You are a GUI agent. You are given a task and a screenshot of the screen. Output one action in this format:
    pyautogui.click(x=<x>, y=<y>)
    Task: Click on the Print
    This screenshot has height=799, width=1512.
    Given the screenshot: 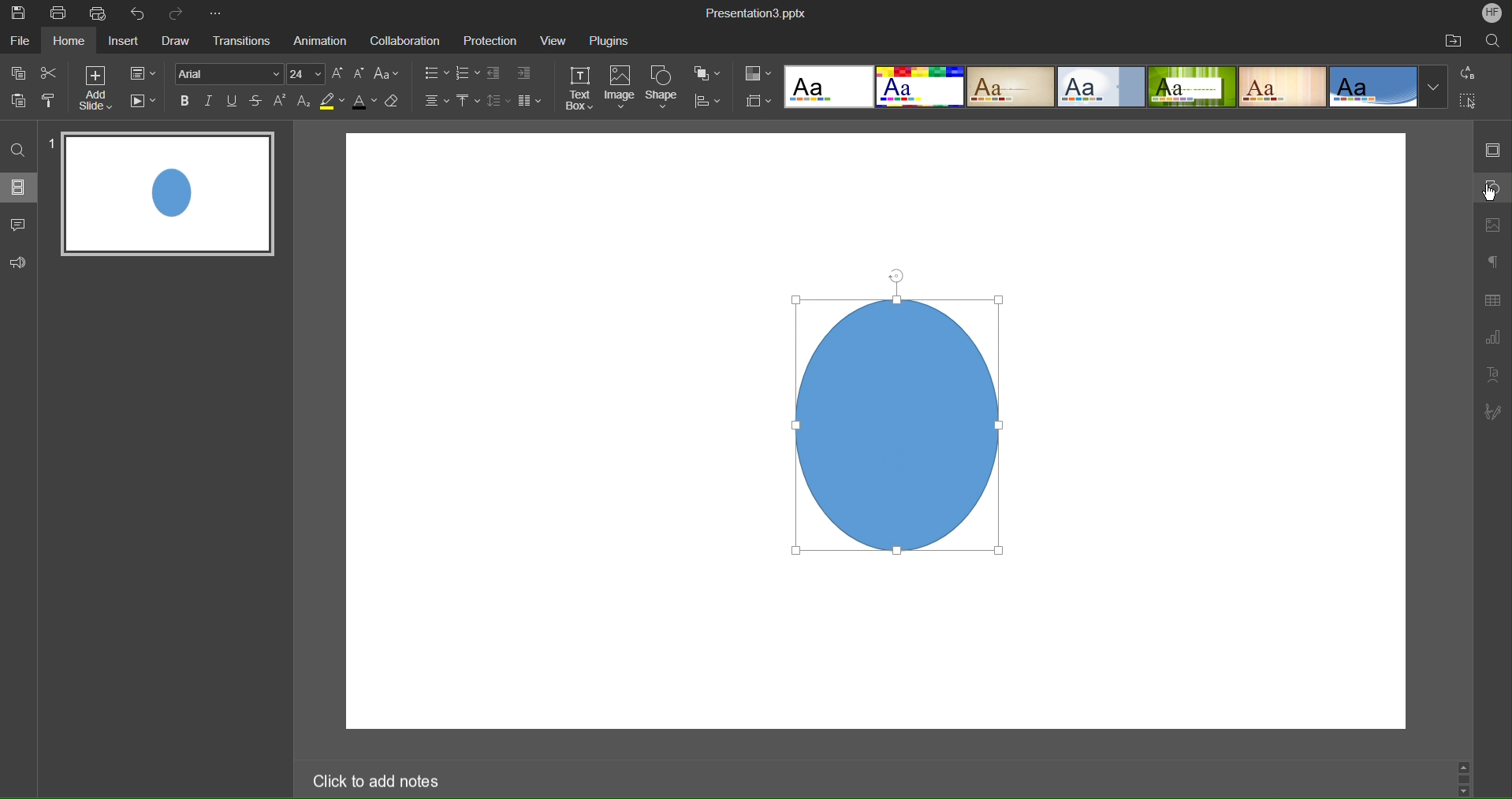 What is the action you would take?
    pyautogui.click(x=58, y=12)
    